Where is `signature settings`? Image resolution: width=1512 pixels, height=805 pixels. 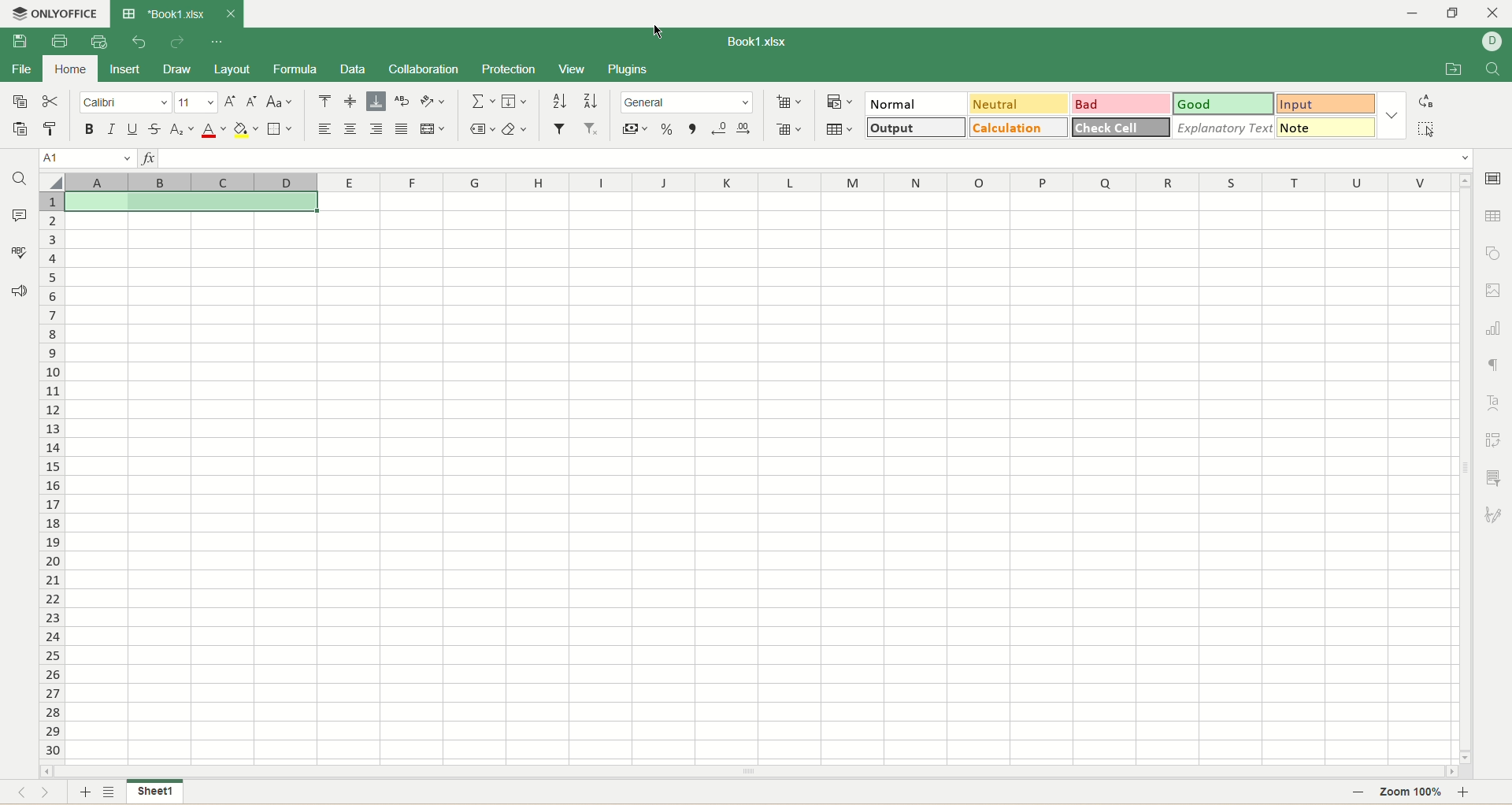 signature settings is located at coordinates (1495, 514).